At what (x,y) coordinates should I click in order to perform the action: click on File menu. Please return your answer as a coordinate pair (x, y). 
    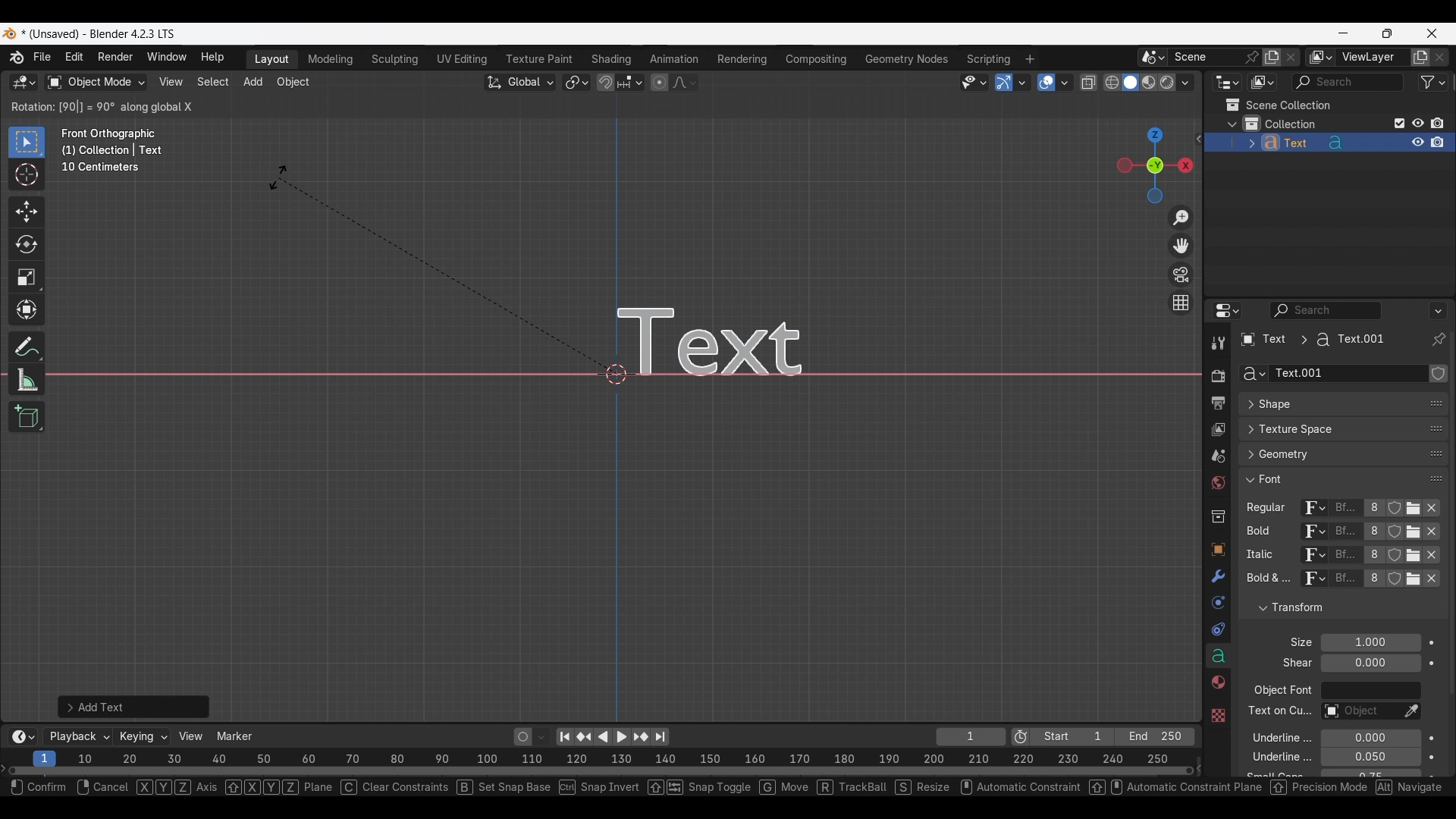
    Looking at the image, I should click on (43, 58).